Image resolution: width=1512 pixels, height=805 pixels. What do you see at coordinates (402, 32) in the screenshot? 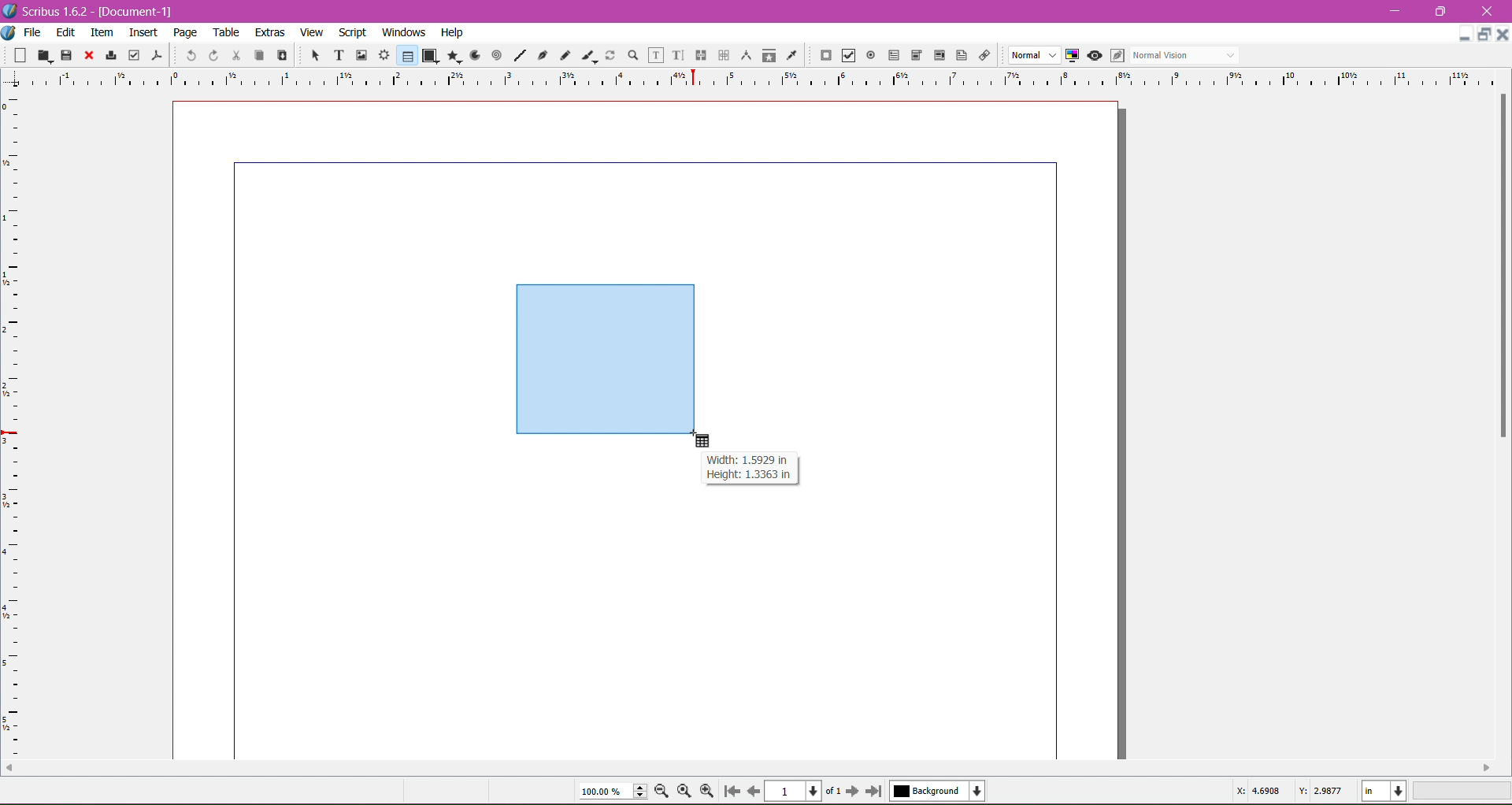
I see `Windows` at bounding box center [402, 32].